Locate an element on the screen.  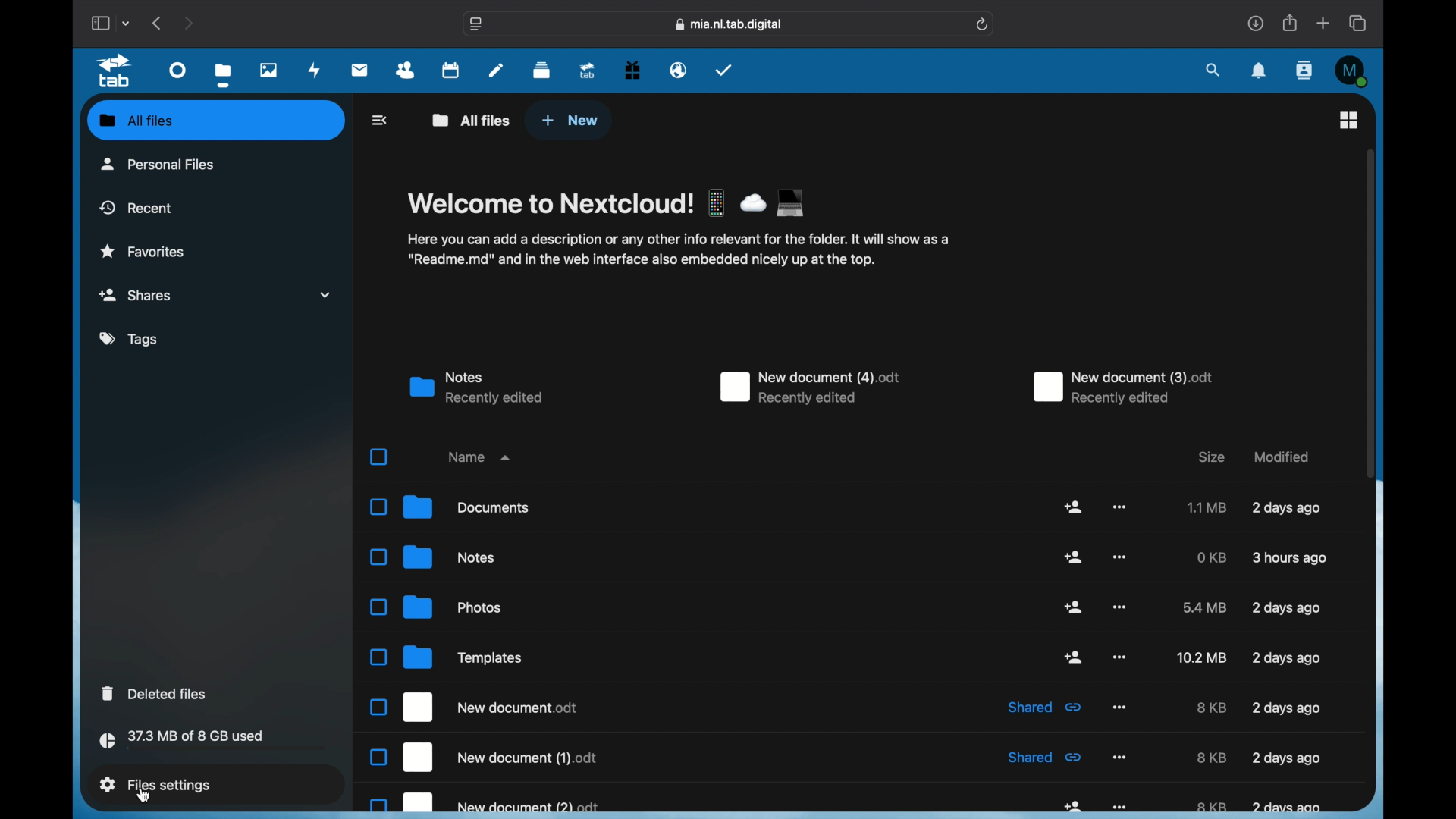
checkbox is located at coordinates (379, 456).